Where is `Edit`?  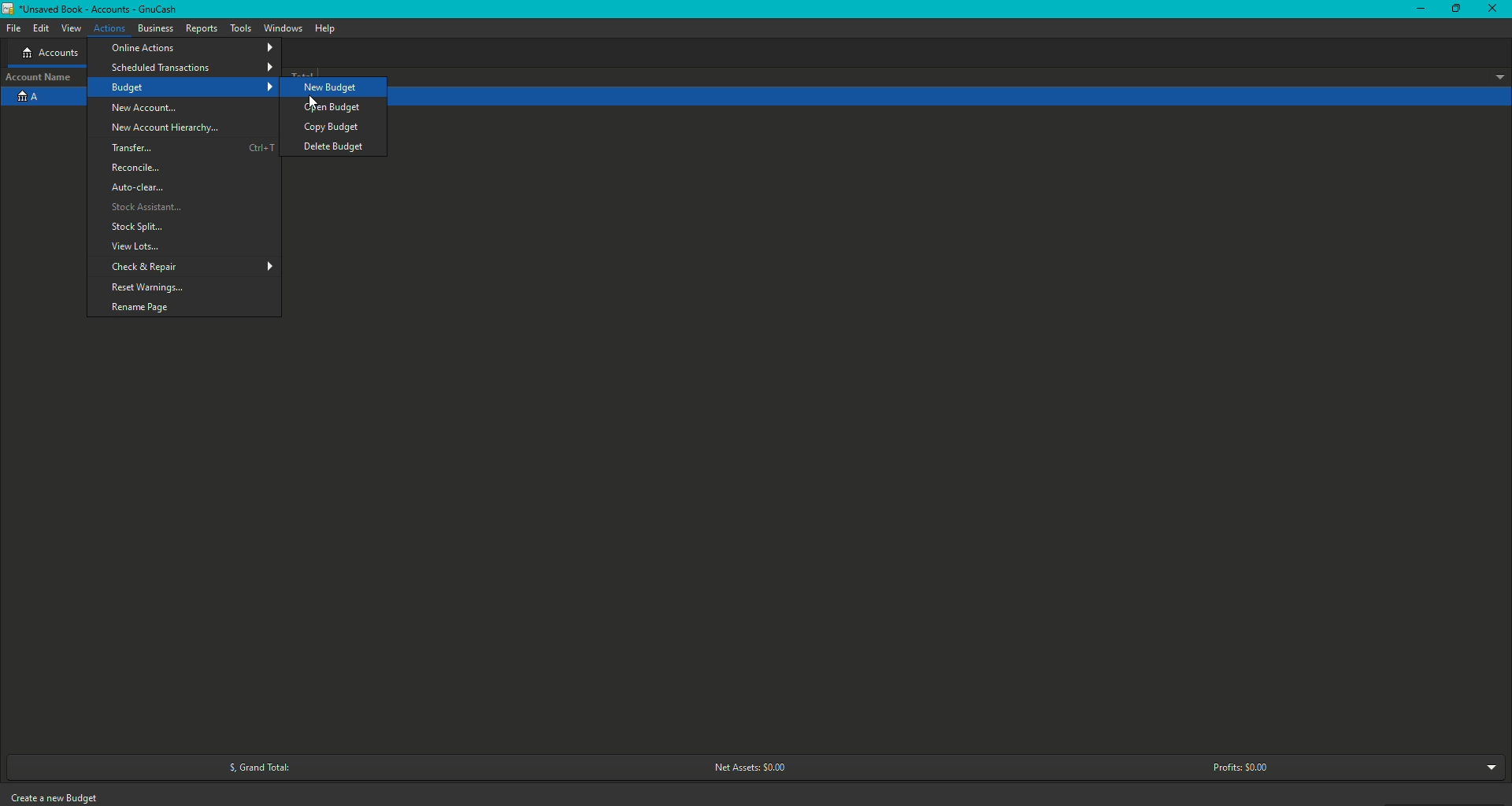
Edit is located at coordinates (41, 30).